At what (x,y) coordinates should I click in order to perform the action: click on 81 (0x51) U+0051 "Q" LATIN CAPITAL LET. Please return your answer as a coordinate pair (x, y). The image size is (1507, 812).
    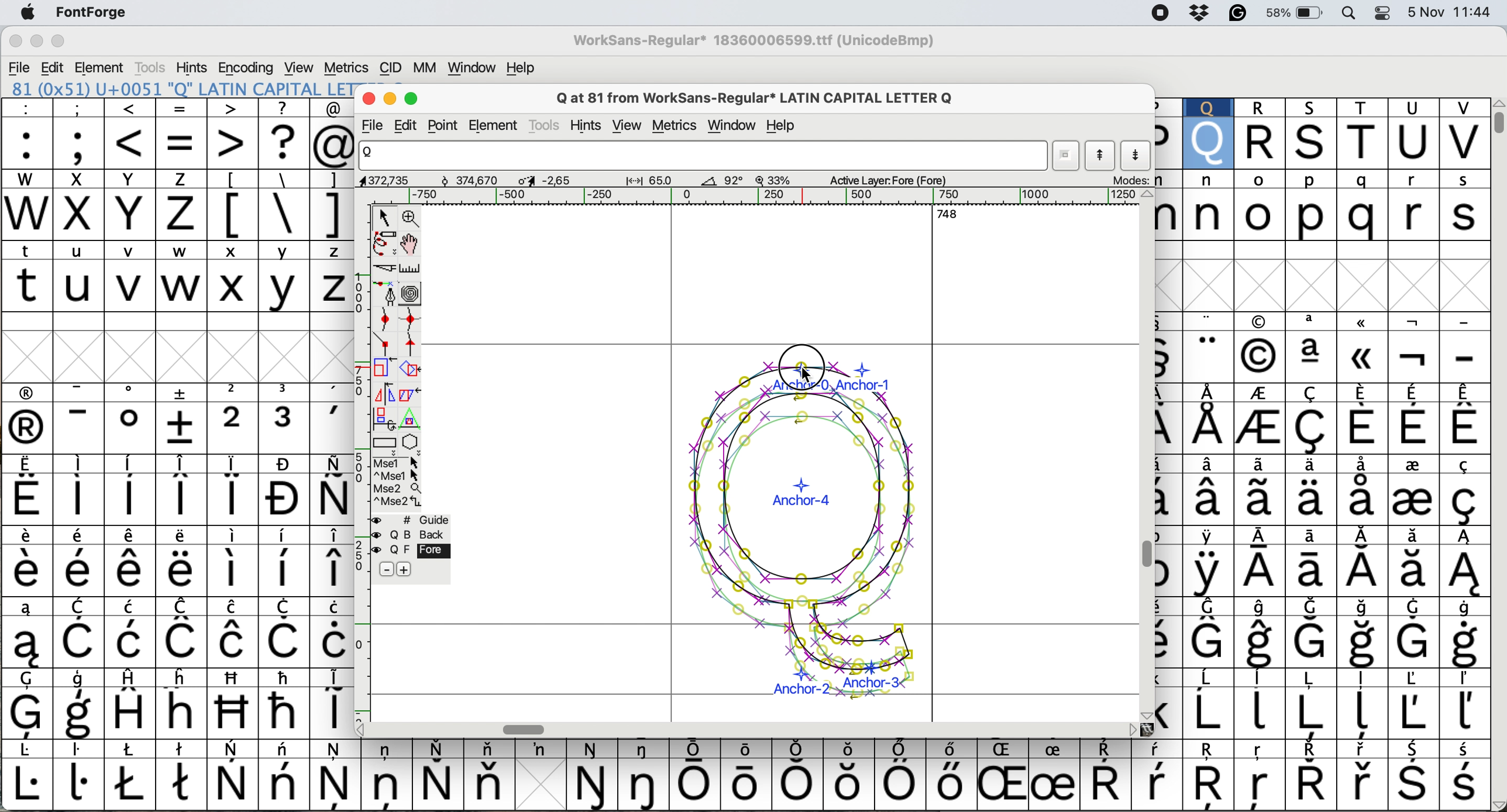
    Looking at the image, I should click on (189, 94).